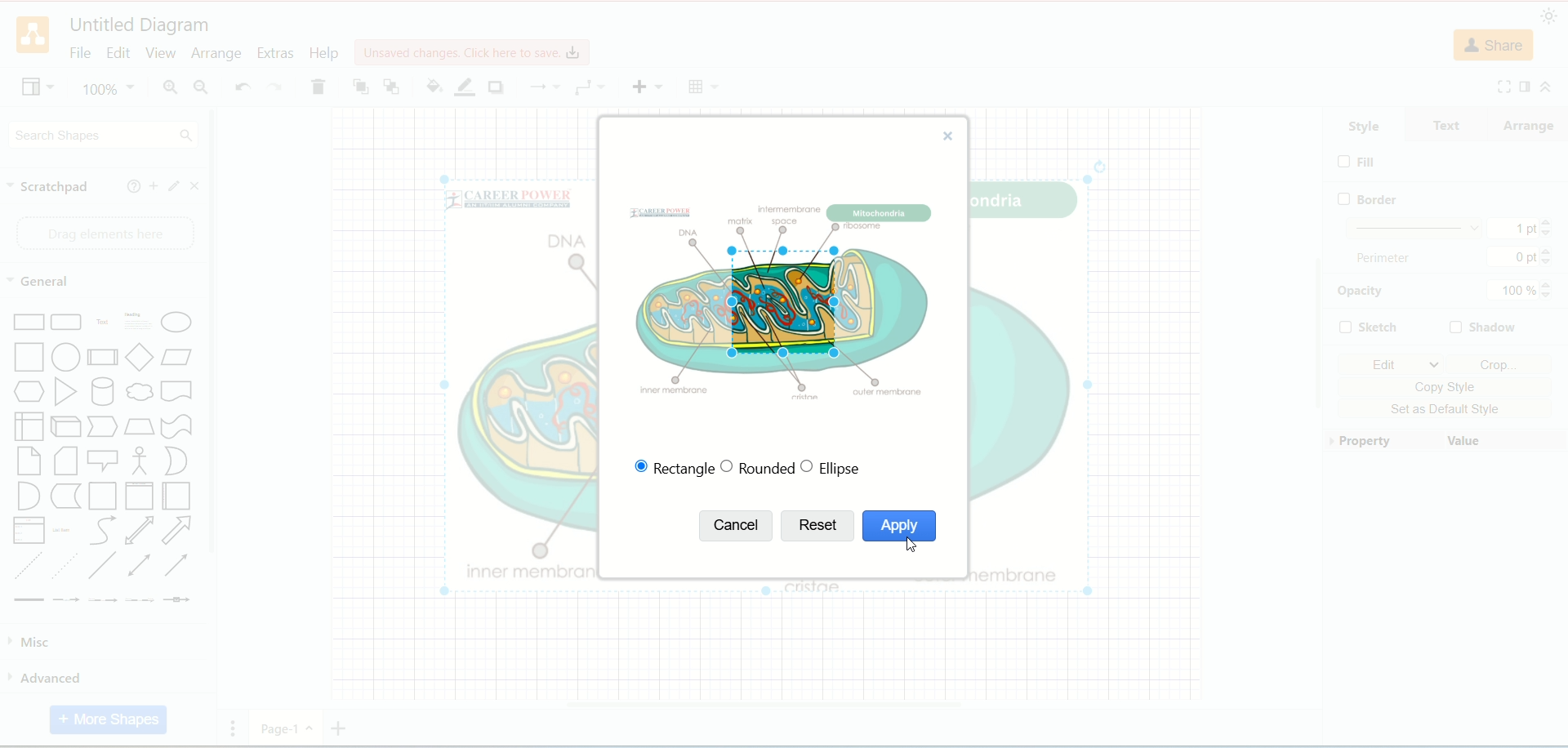 The image size is (1568, 748). I want to click on insert page, so click(339, 728).